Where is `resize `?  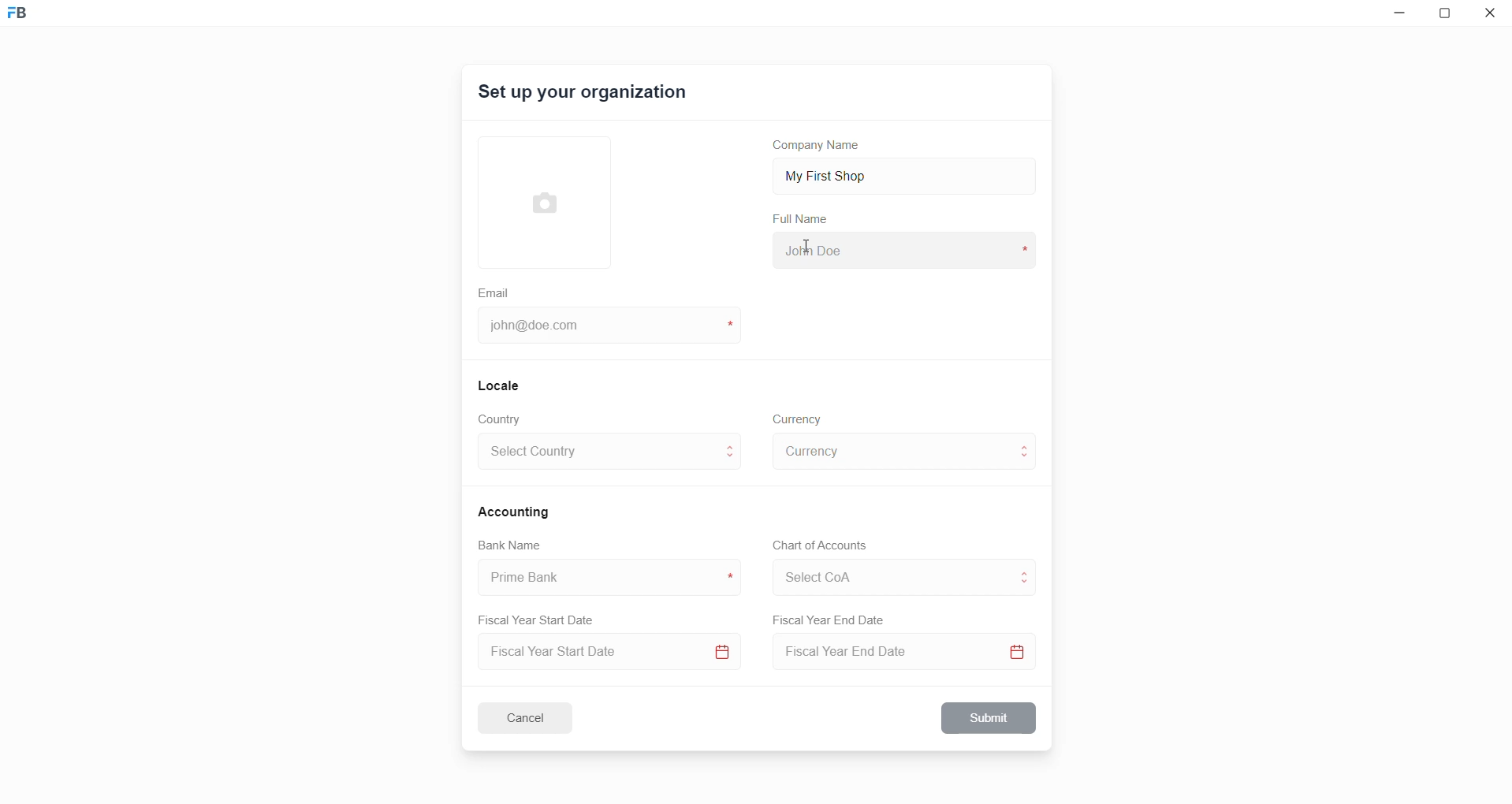 resize  is located at coordinates (1449, 16).